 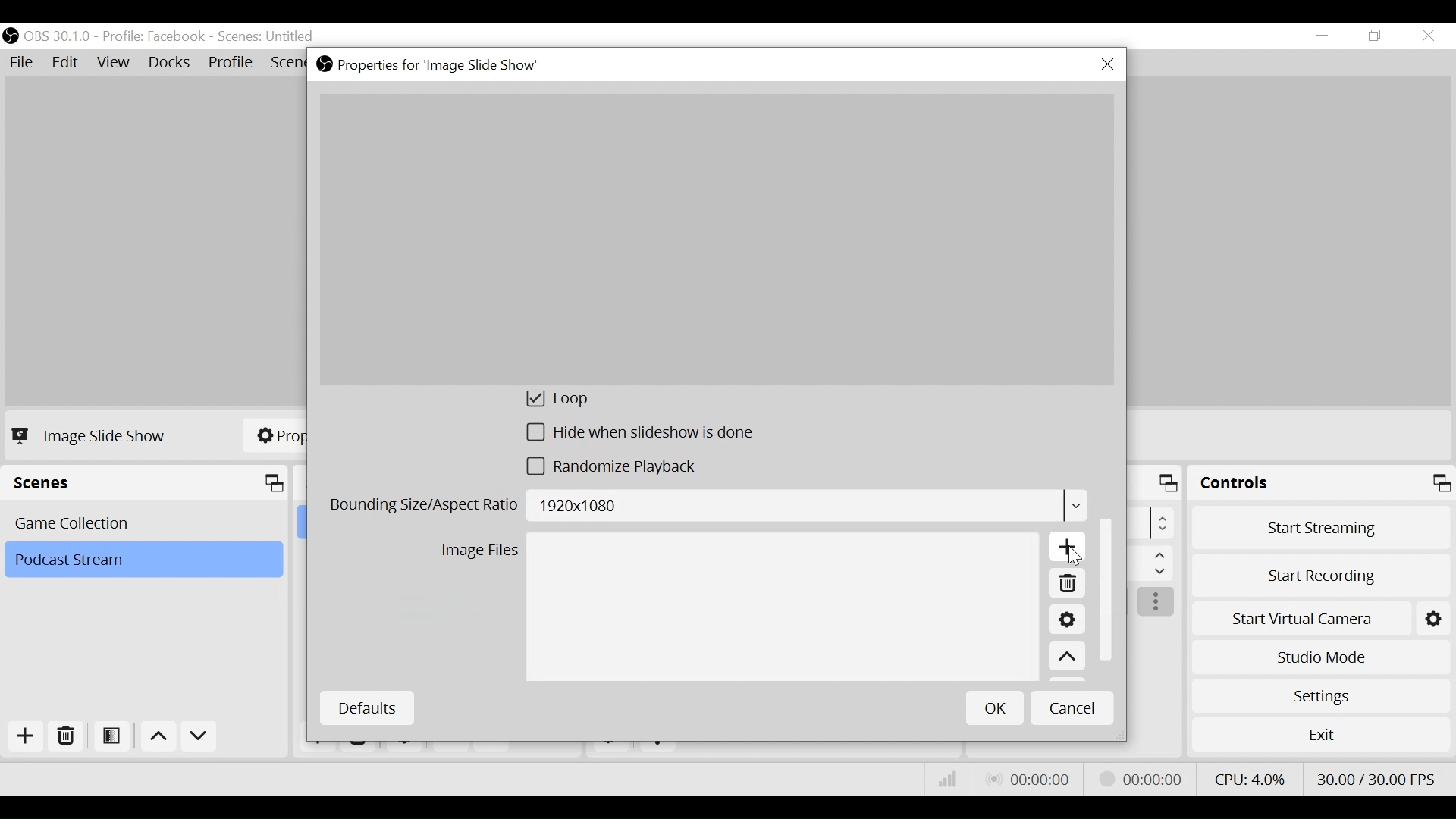 I want to click on Bounding Size, so click(x=707, y=508).